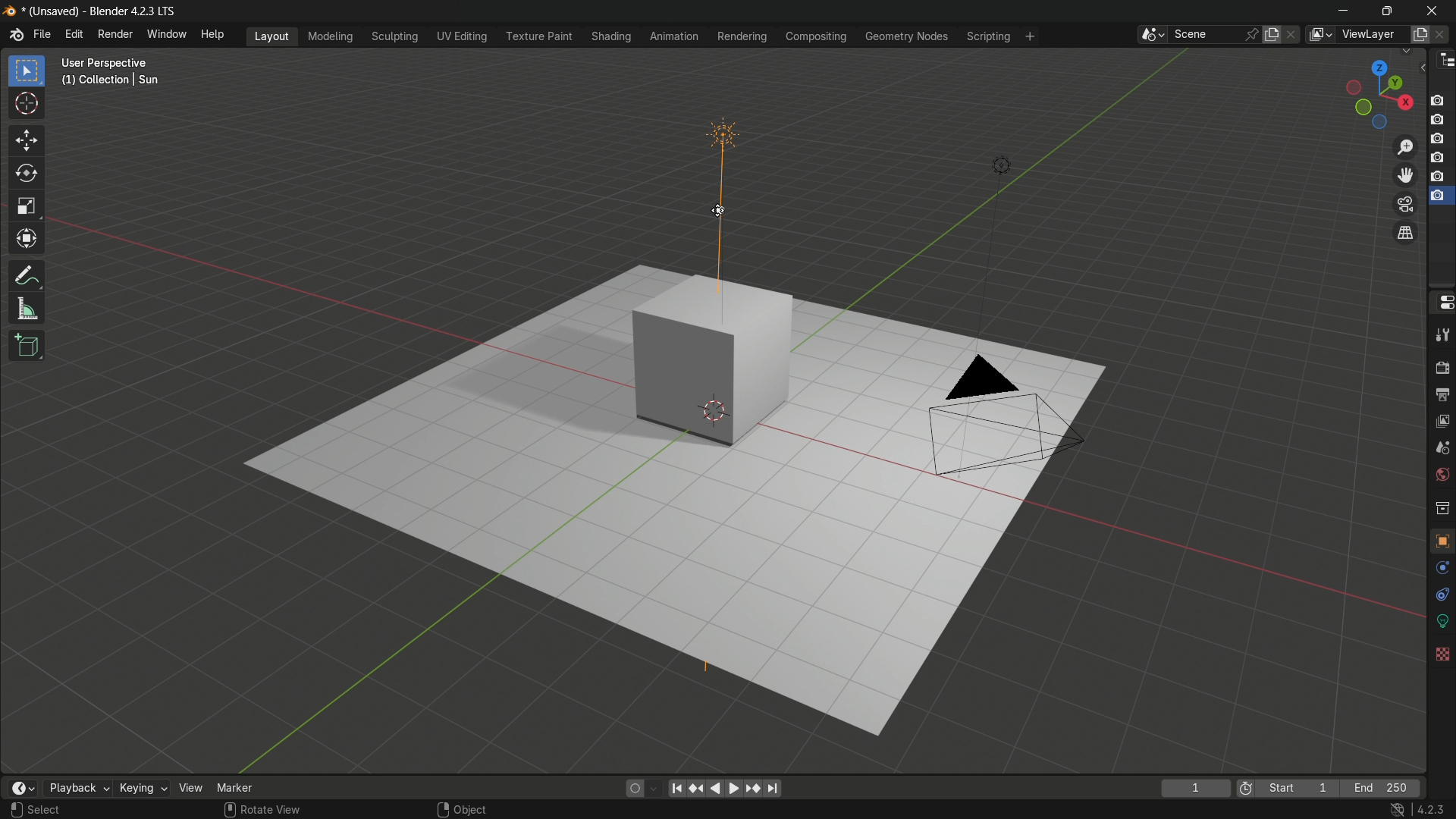 Image resolution: width=1456 pixels, height=819 pixels. I want to click on scripting, so click(988, 36).